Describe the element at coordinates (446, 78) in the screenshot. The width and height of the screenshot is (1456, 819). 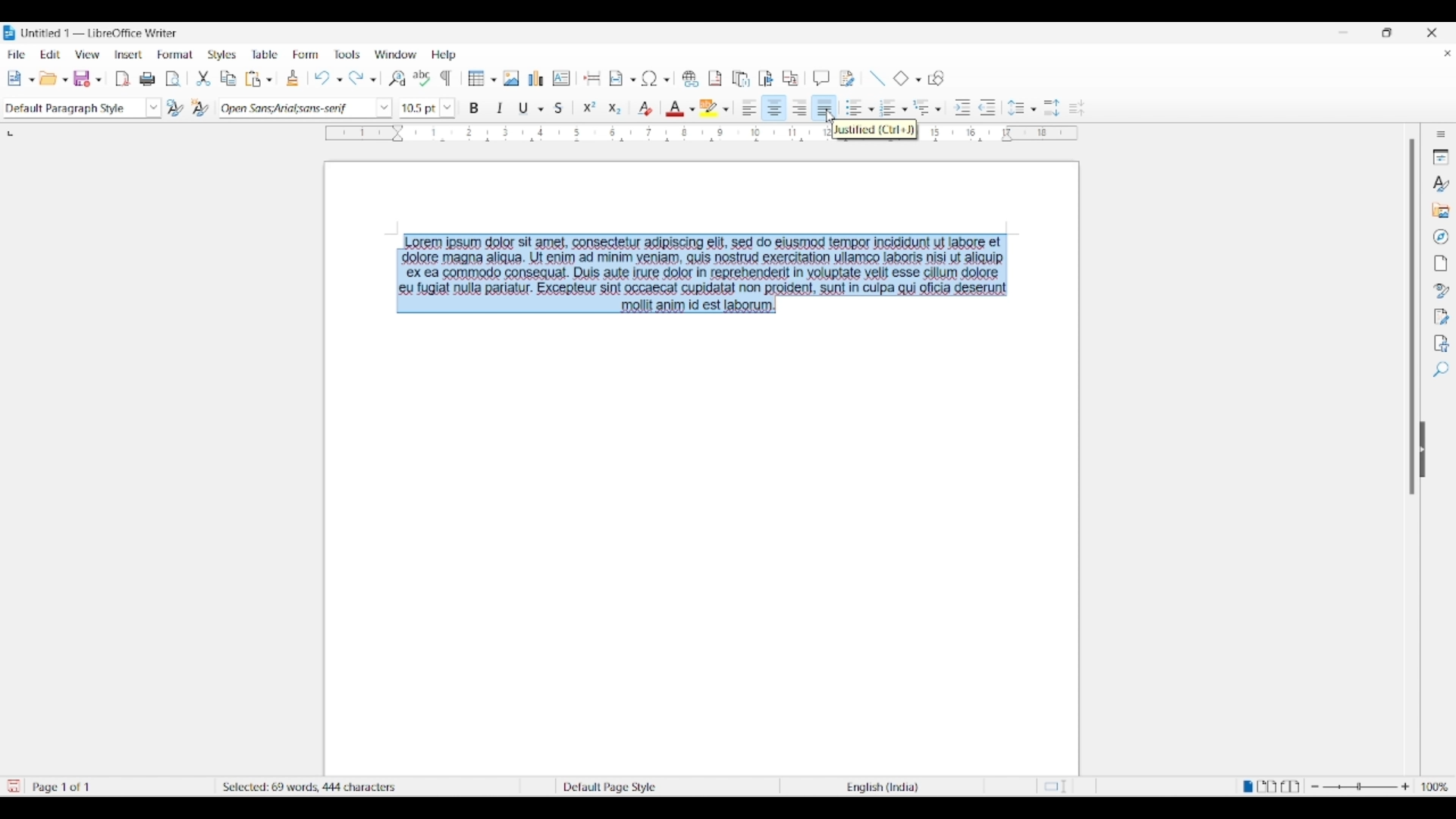
I see `Toggle formatting marks` at that location.